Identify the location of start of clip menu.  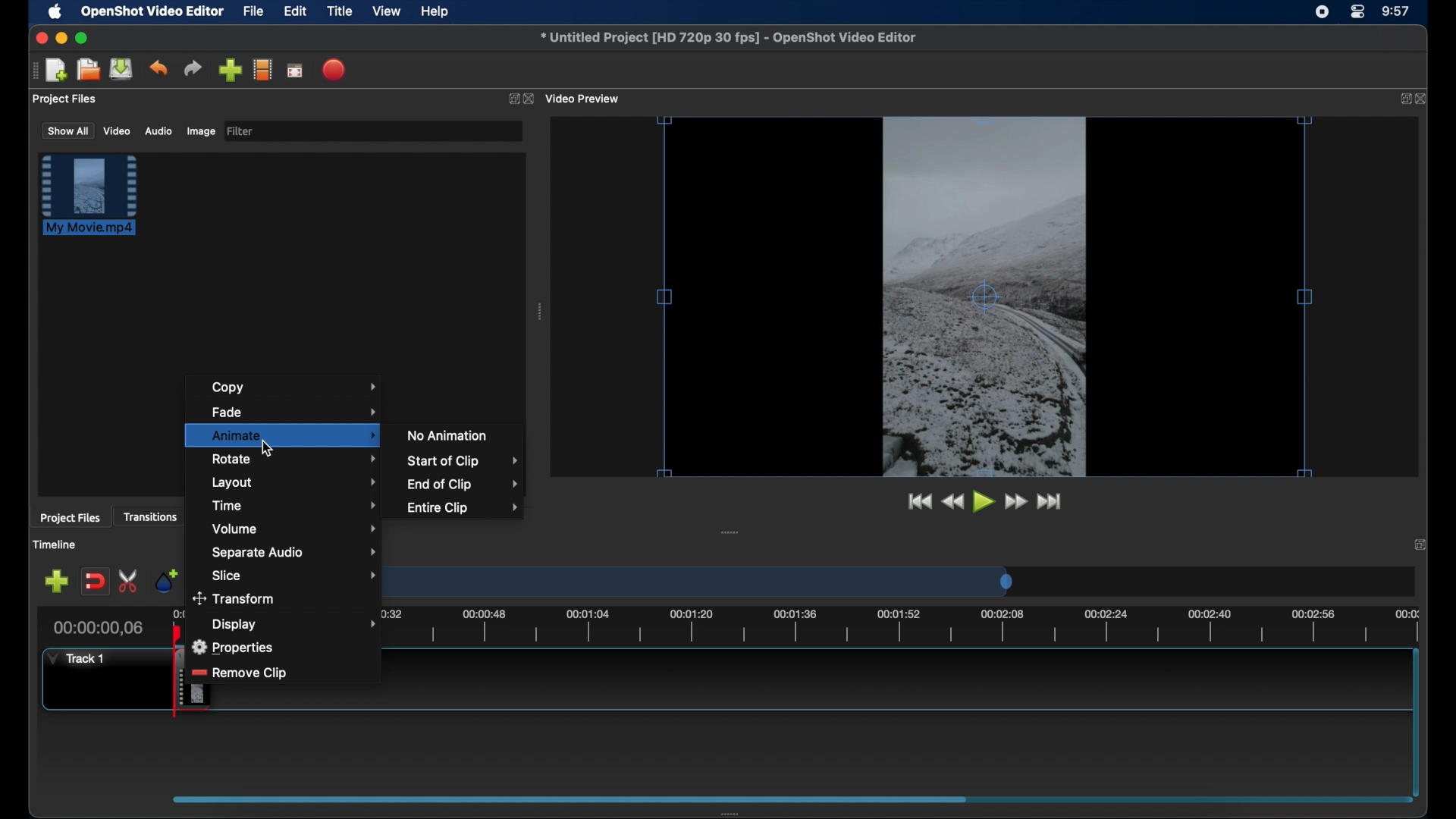
(462, 461).